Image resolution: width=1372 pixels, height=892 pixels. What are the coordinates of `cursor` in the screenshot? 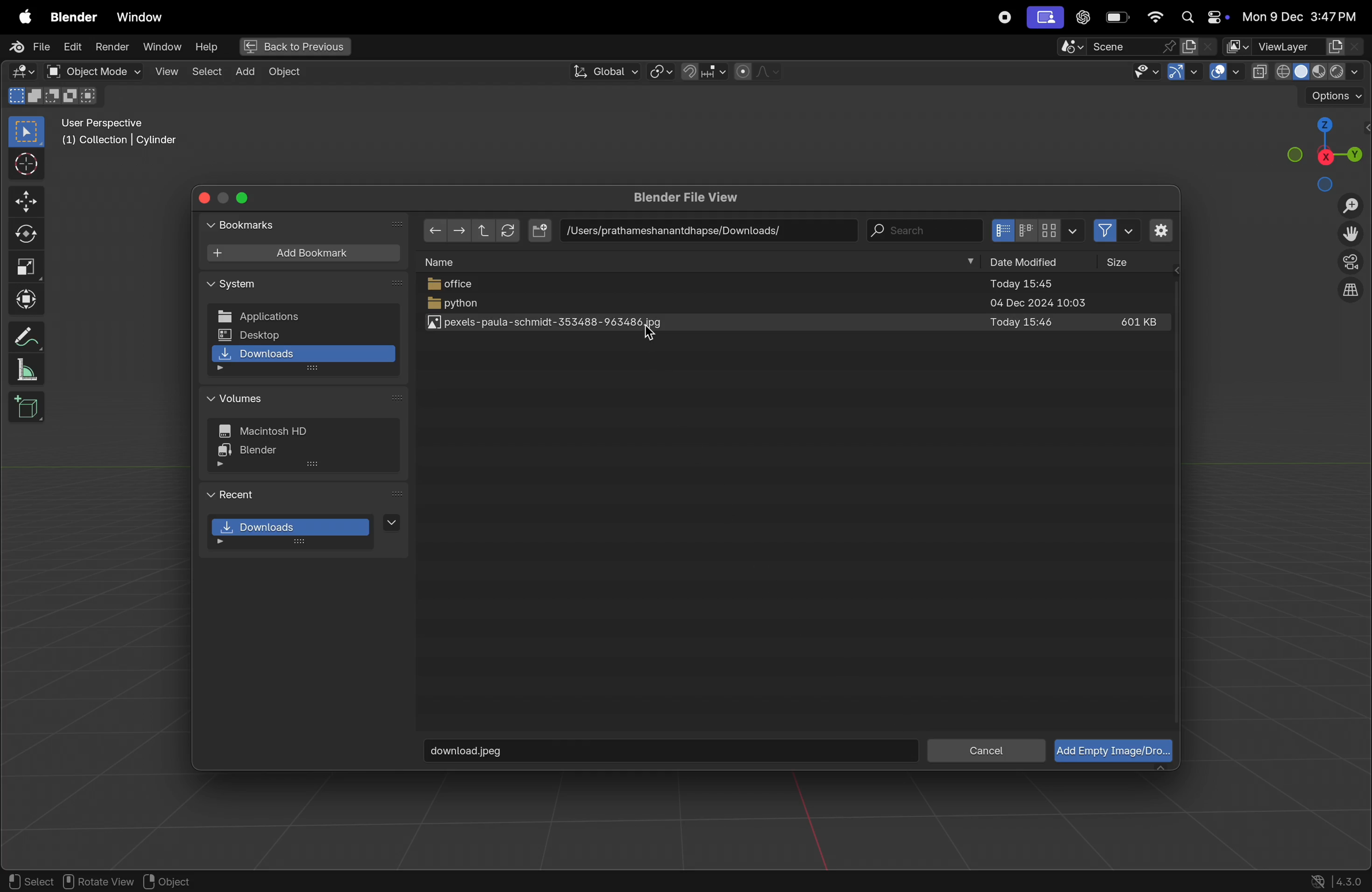 It's located at (655, 337).